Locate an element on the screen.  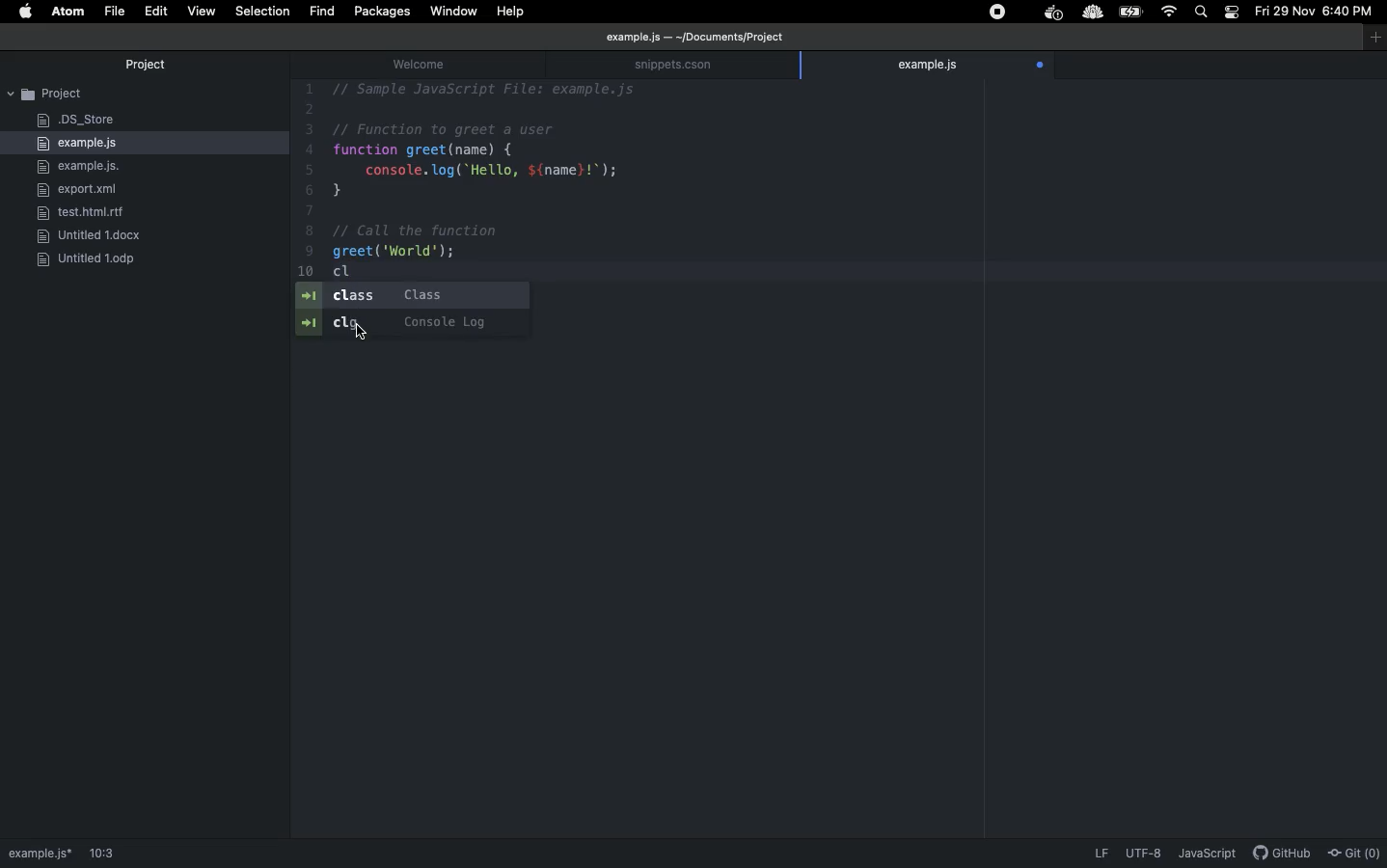
Project is located at coordinates (145, 94).